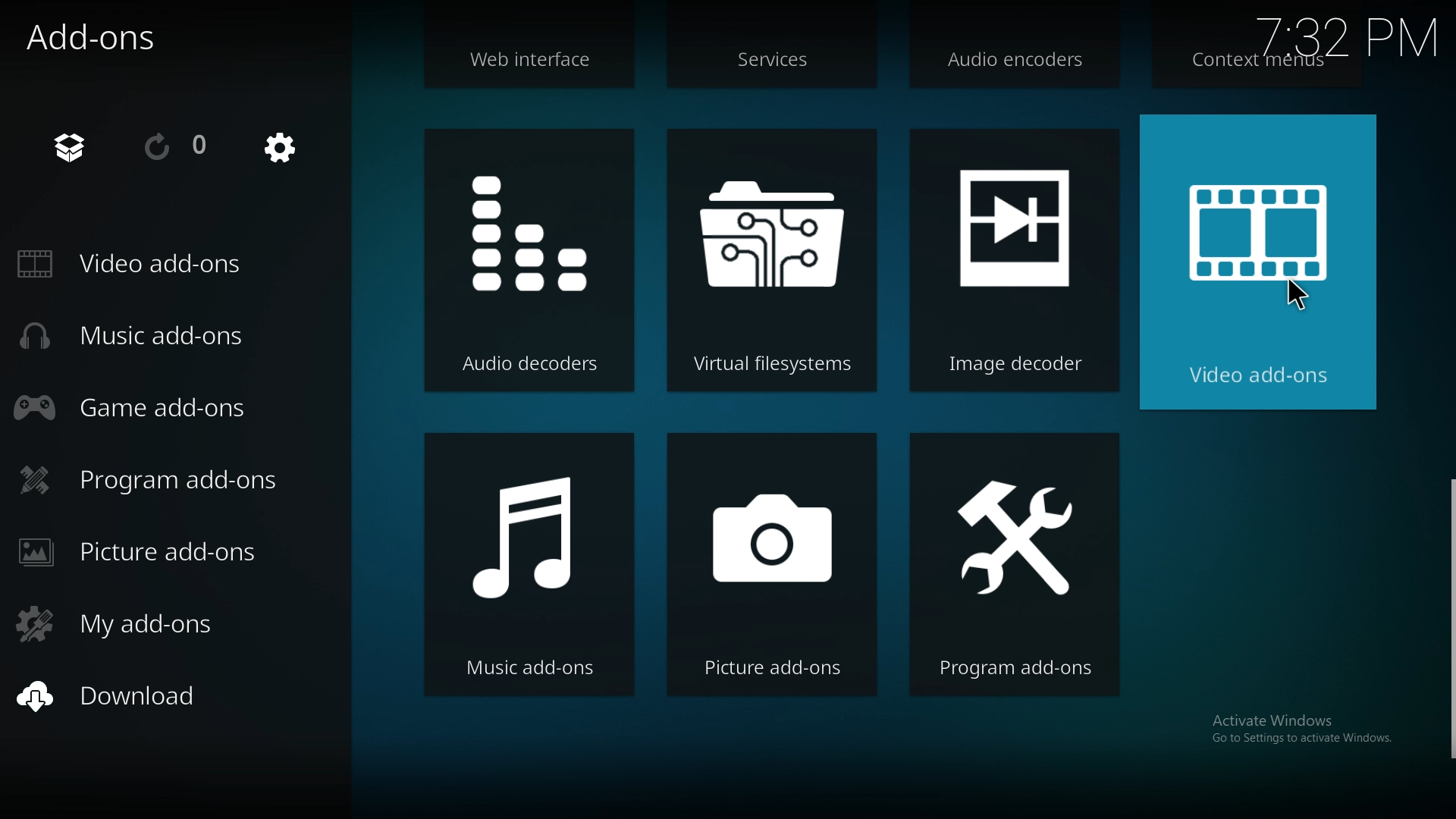 The image size is (1456, 819). I want to click on installed, so click(79, 146).